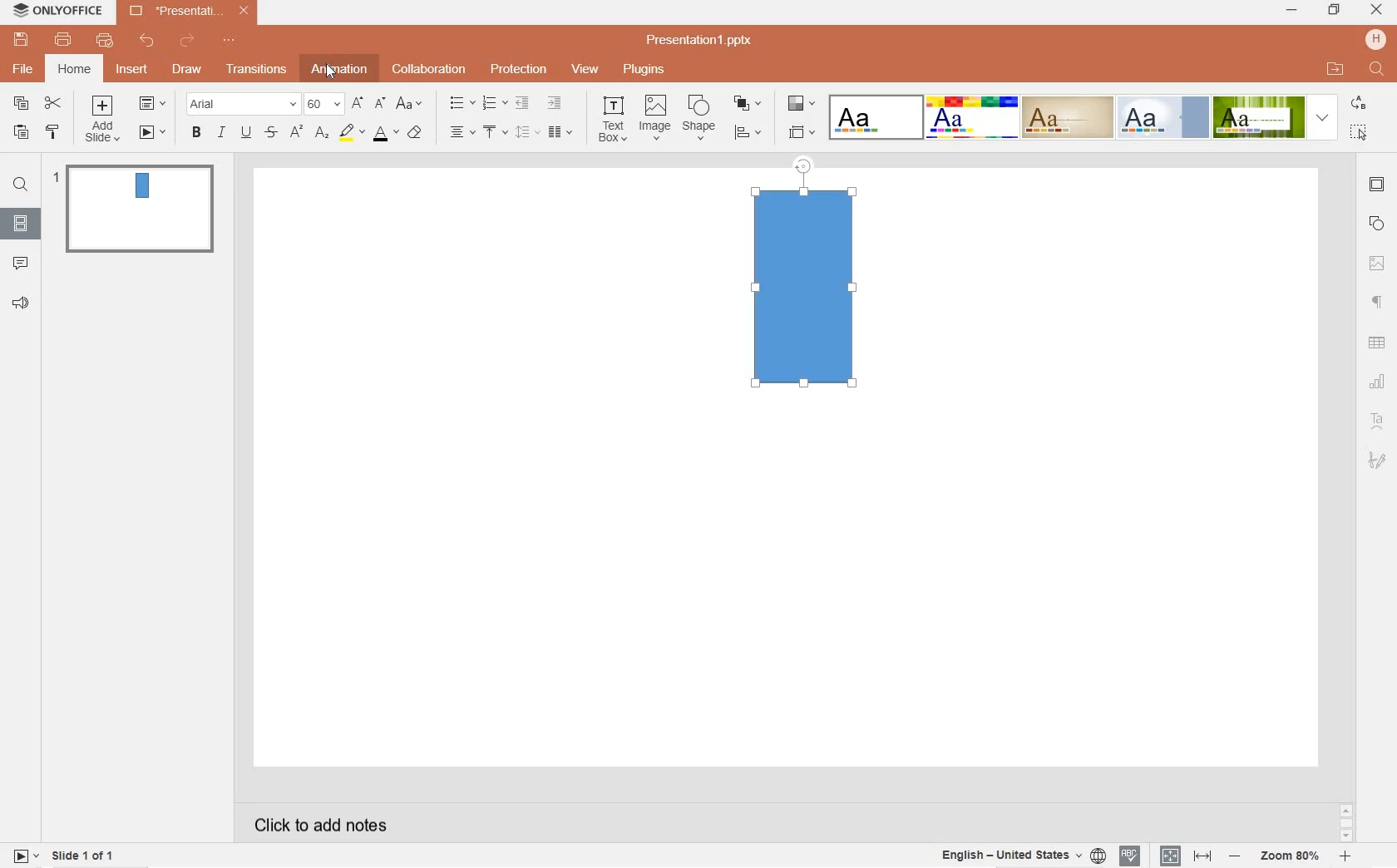  Describe the element at coordinates (24, 69) in the screenshot. I see `file` at that location.